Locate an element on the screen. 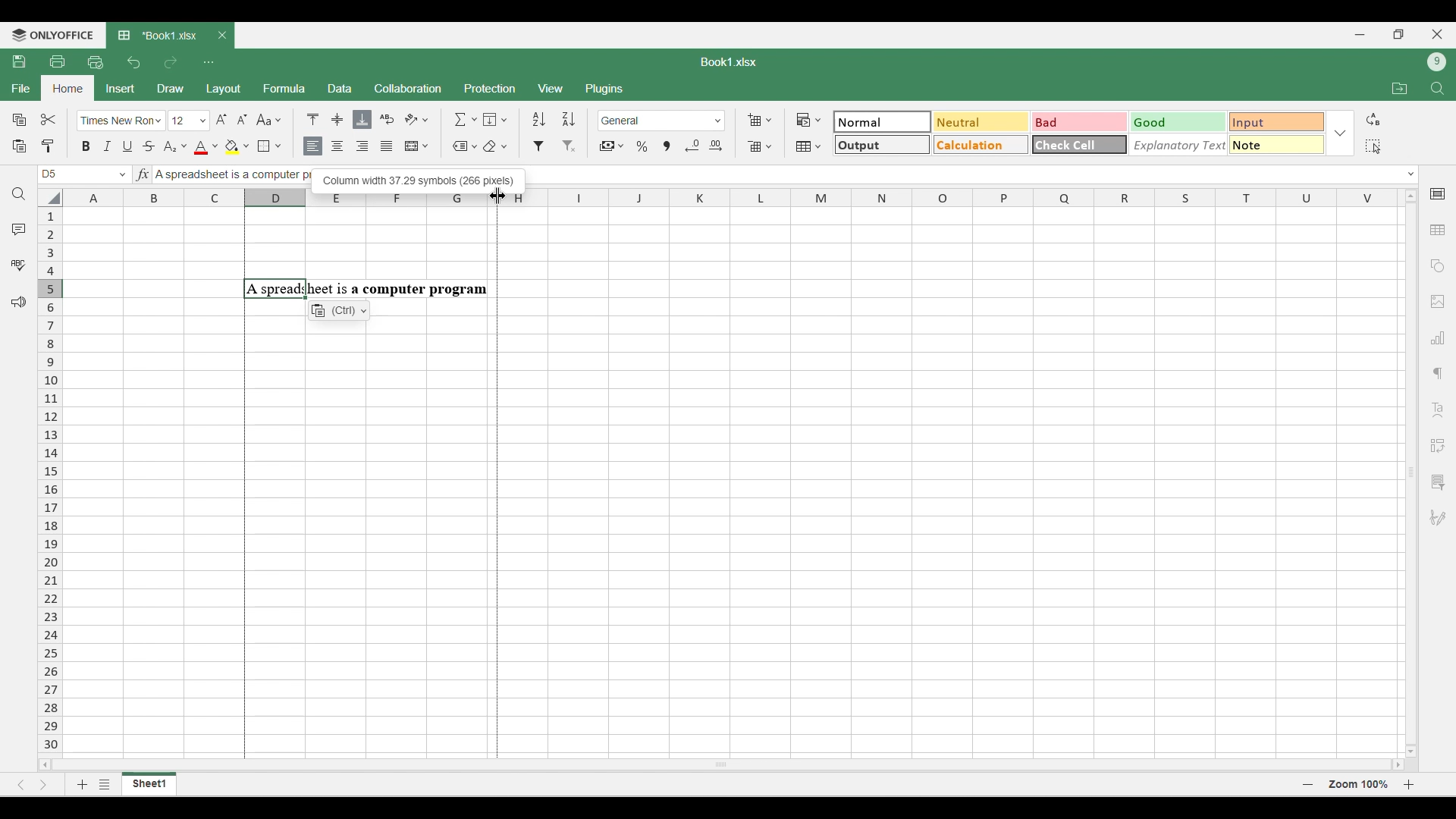 This screenshot has height=819, width=1456. Text alignment is located at coordinates (1438, 409).